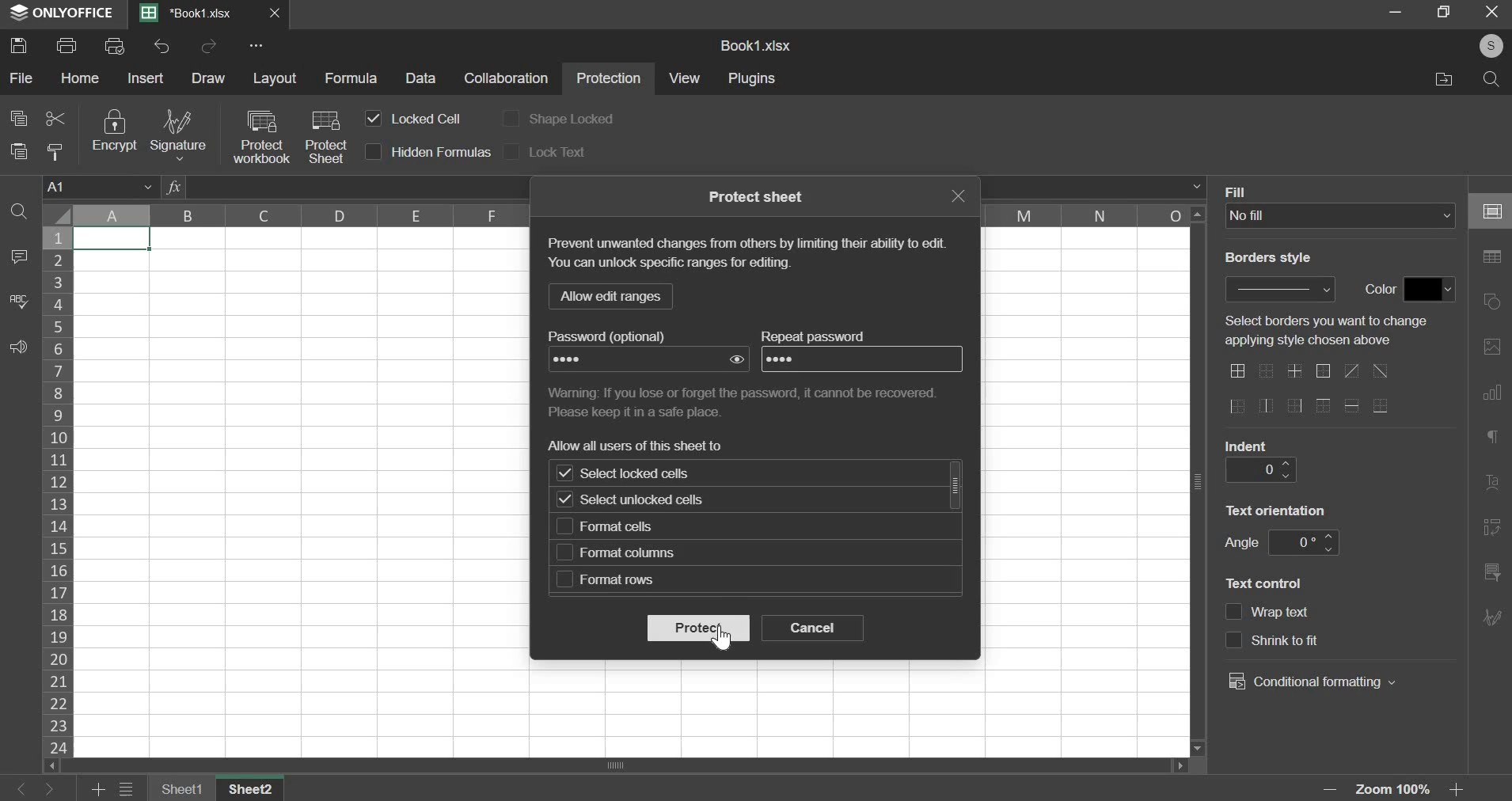 Image resolution: width=1512 pixels, height=801 pixels. What do you see at coordinates (1486, 47) in the screenshot?
I see `Profile Pic` at bounding box center [1486, 47].